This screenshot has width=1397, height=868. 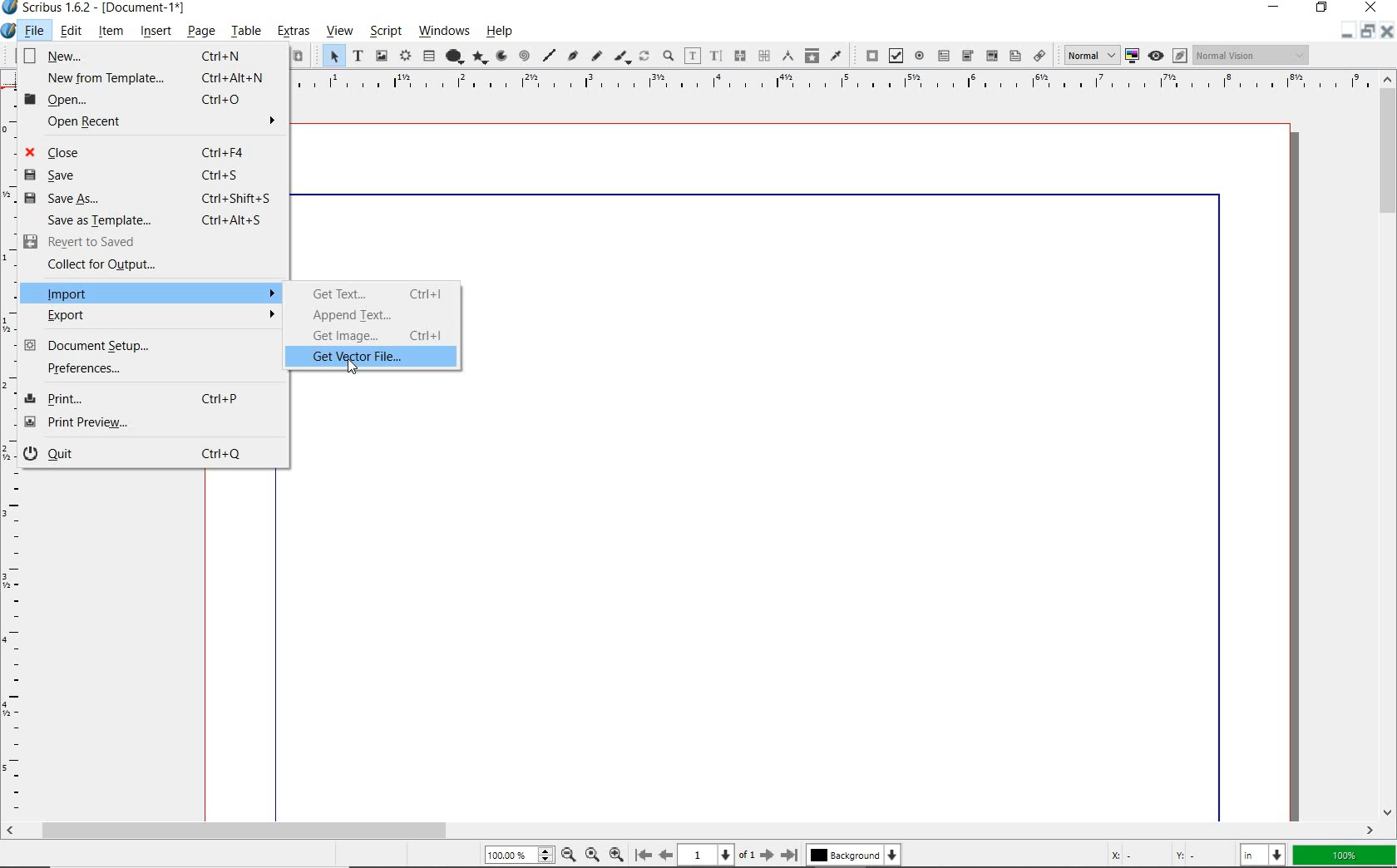 What do you see at coordinates (853, 856) in the screenshot?
I see `Background` at bounding box center [853, 856].